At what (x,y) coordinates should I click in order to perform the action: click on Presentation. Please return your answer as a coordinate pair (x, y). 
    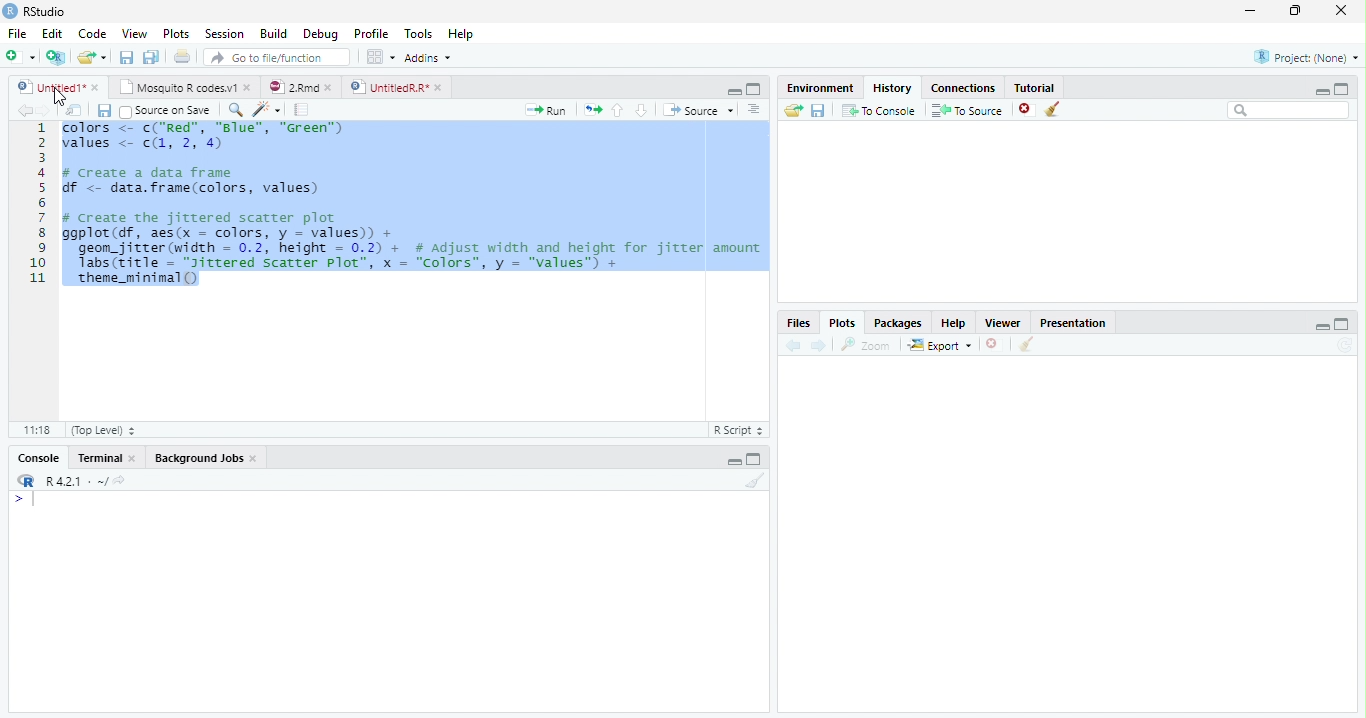
    Looking at the image, I should click on (1072, 322).